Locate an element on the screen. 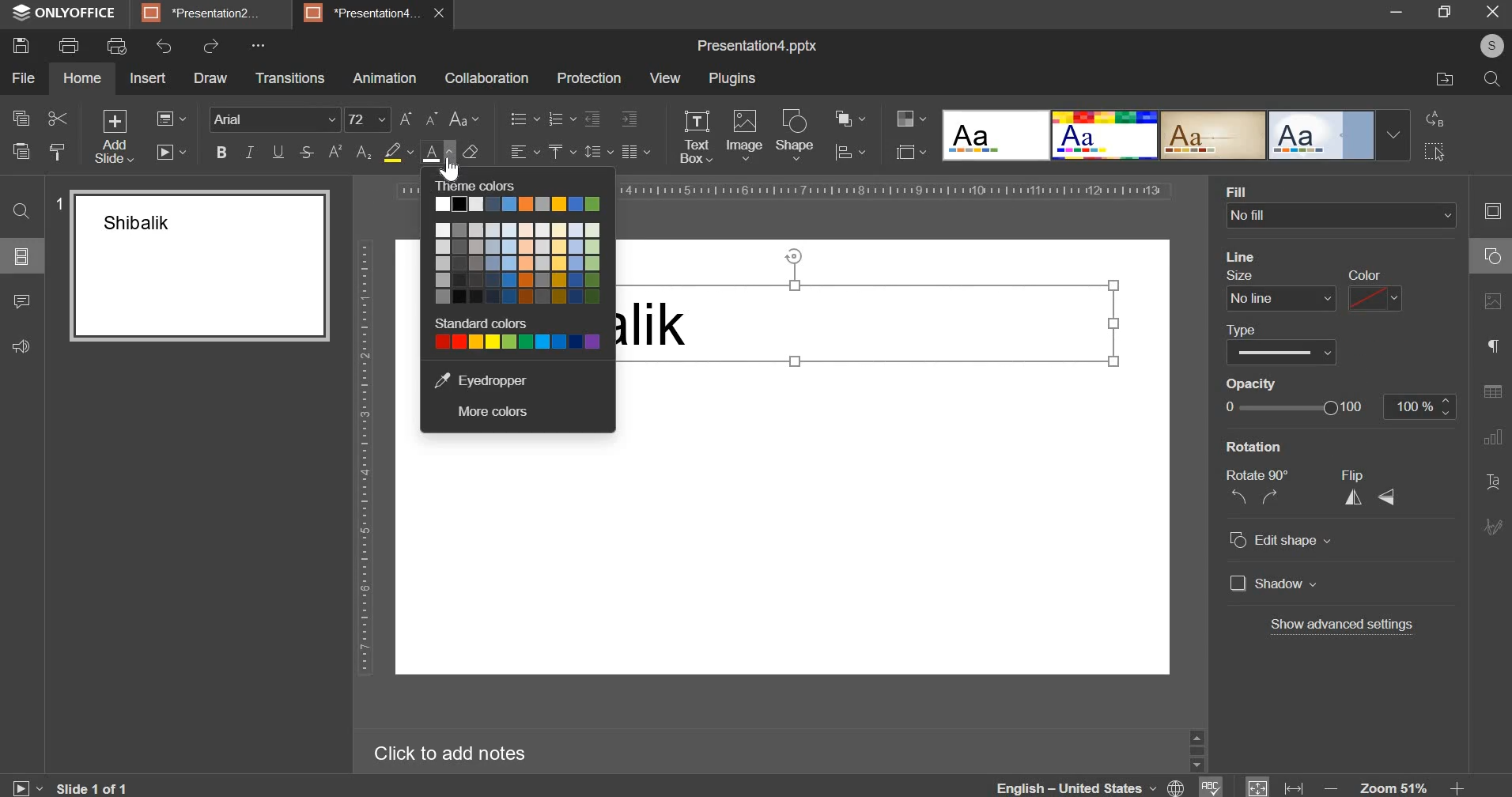 Image resolution: width=1512 pixels, height=797 pixels. language is located at coordinates (1175, 787).